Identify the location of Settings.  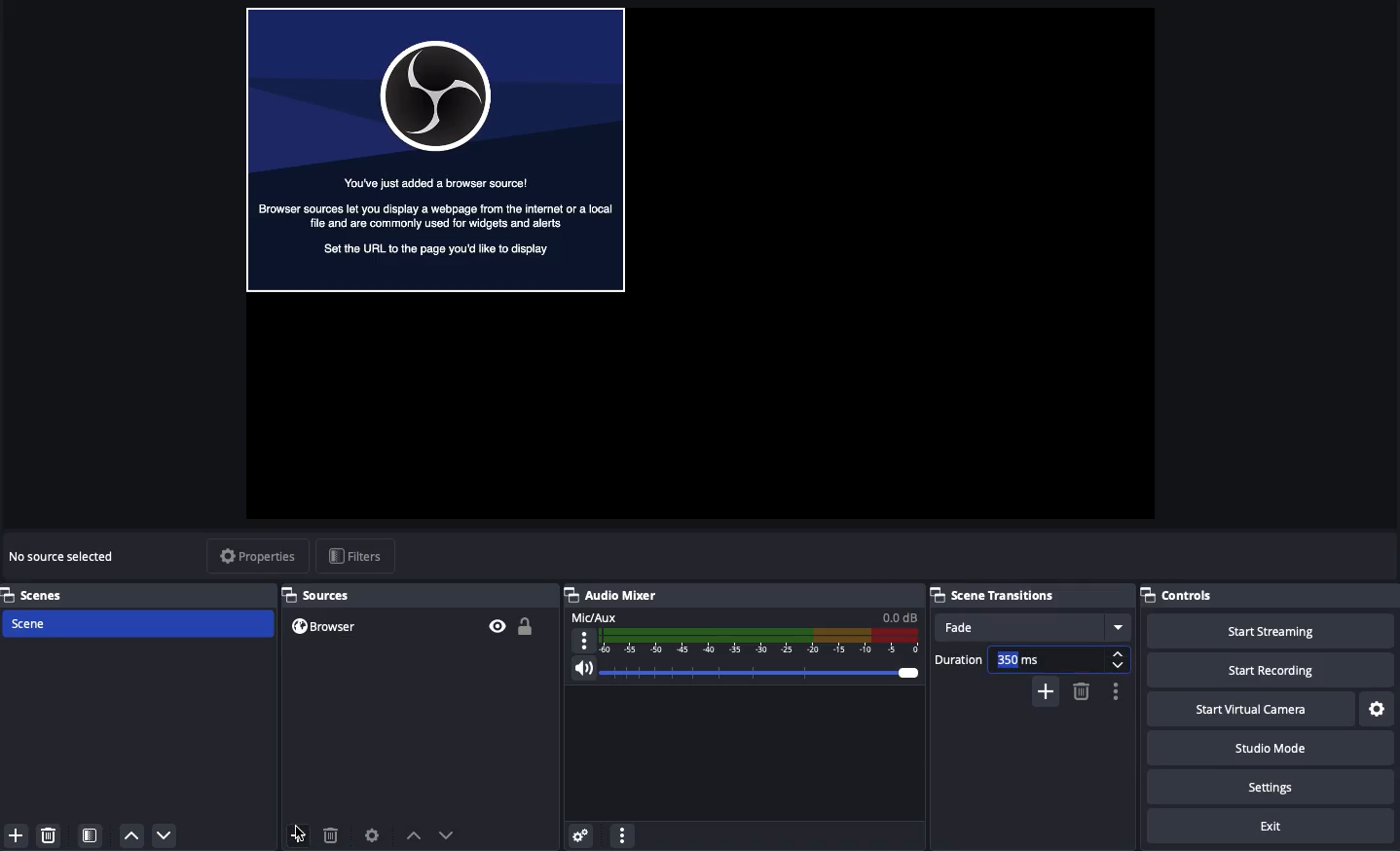
(1378, 710).